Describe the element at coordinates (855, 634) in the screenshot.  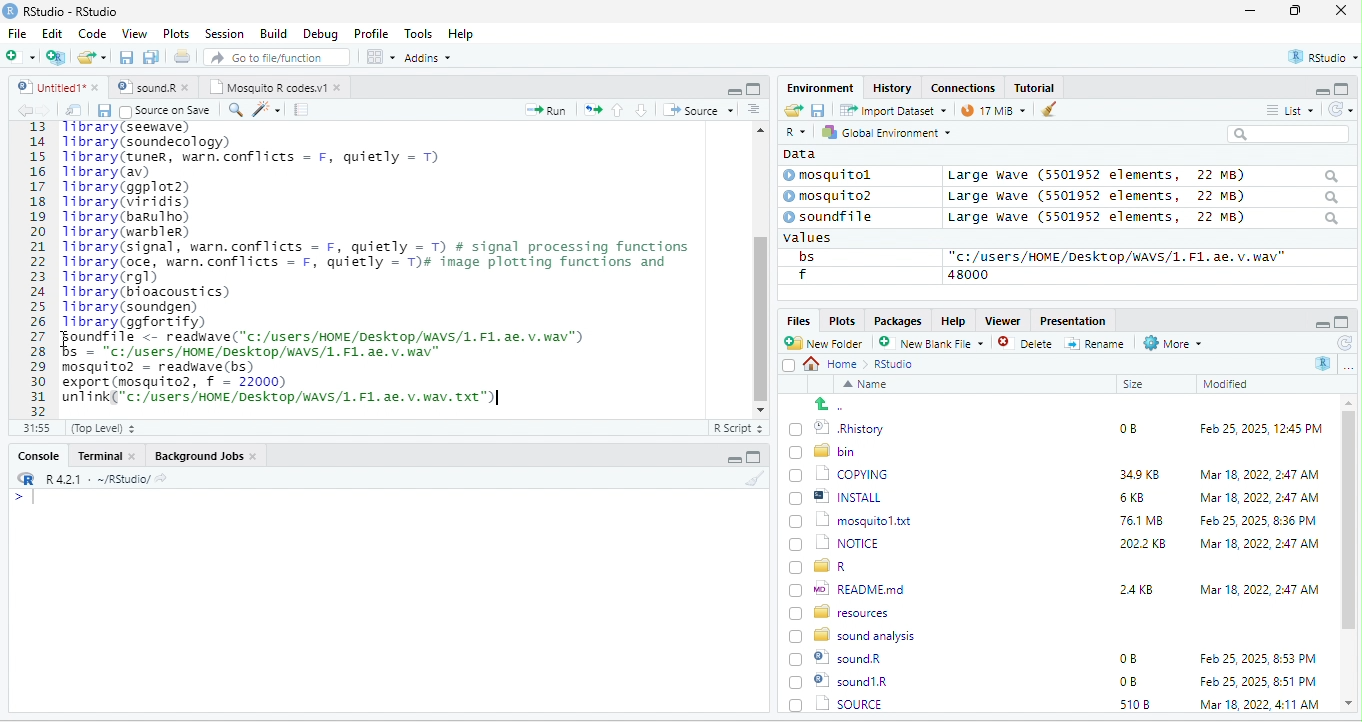
I see `8 sound analysis` at that location.